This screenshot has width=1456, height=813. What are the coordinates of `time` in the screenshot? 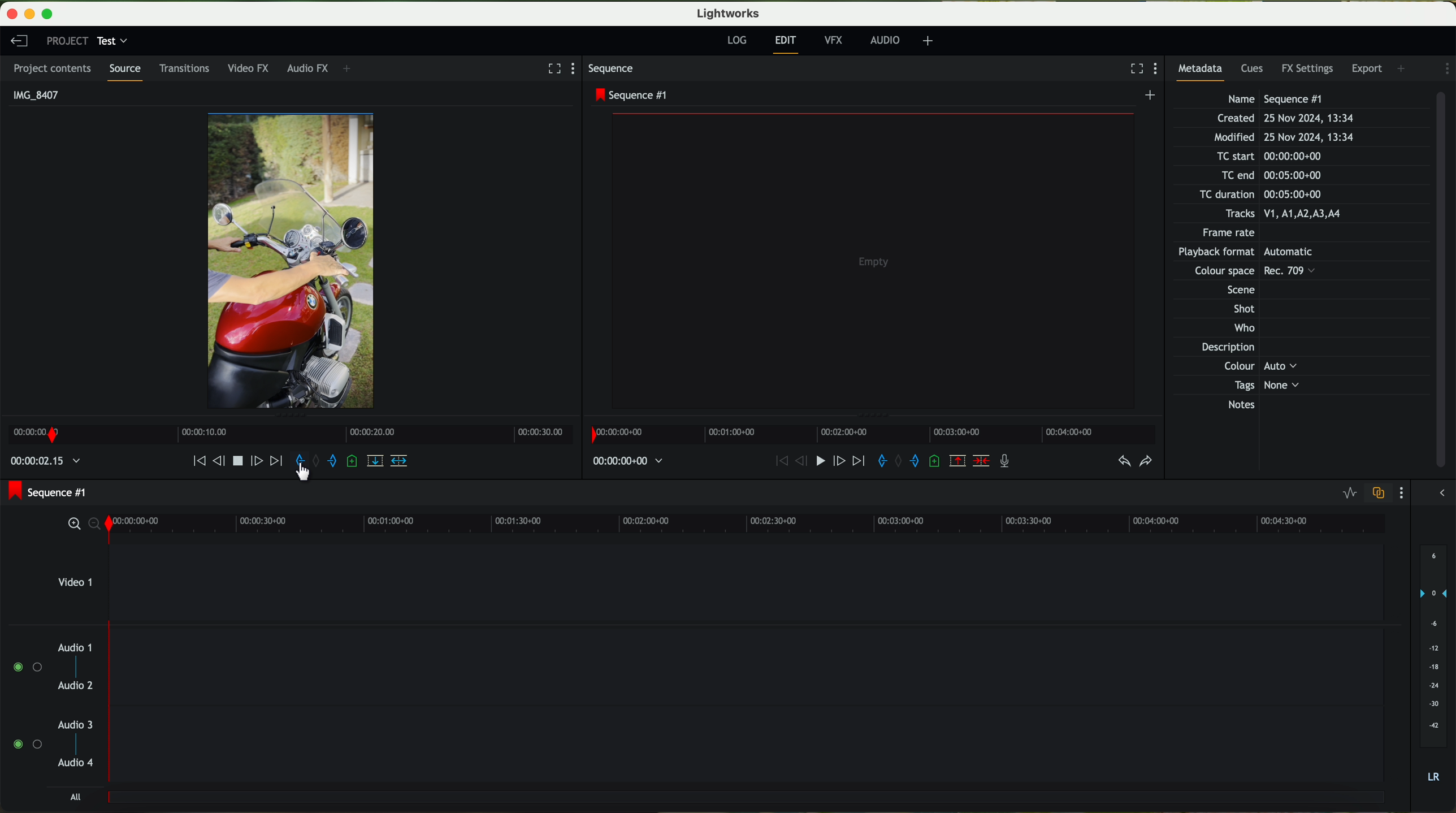 It's located at (48, 462).